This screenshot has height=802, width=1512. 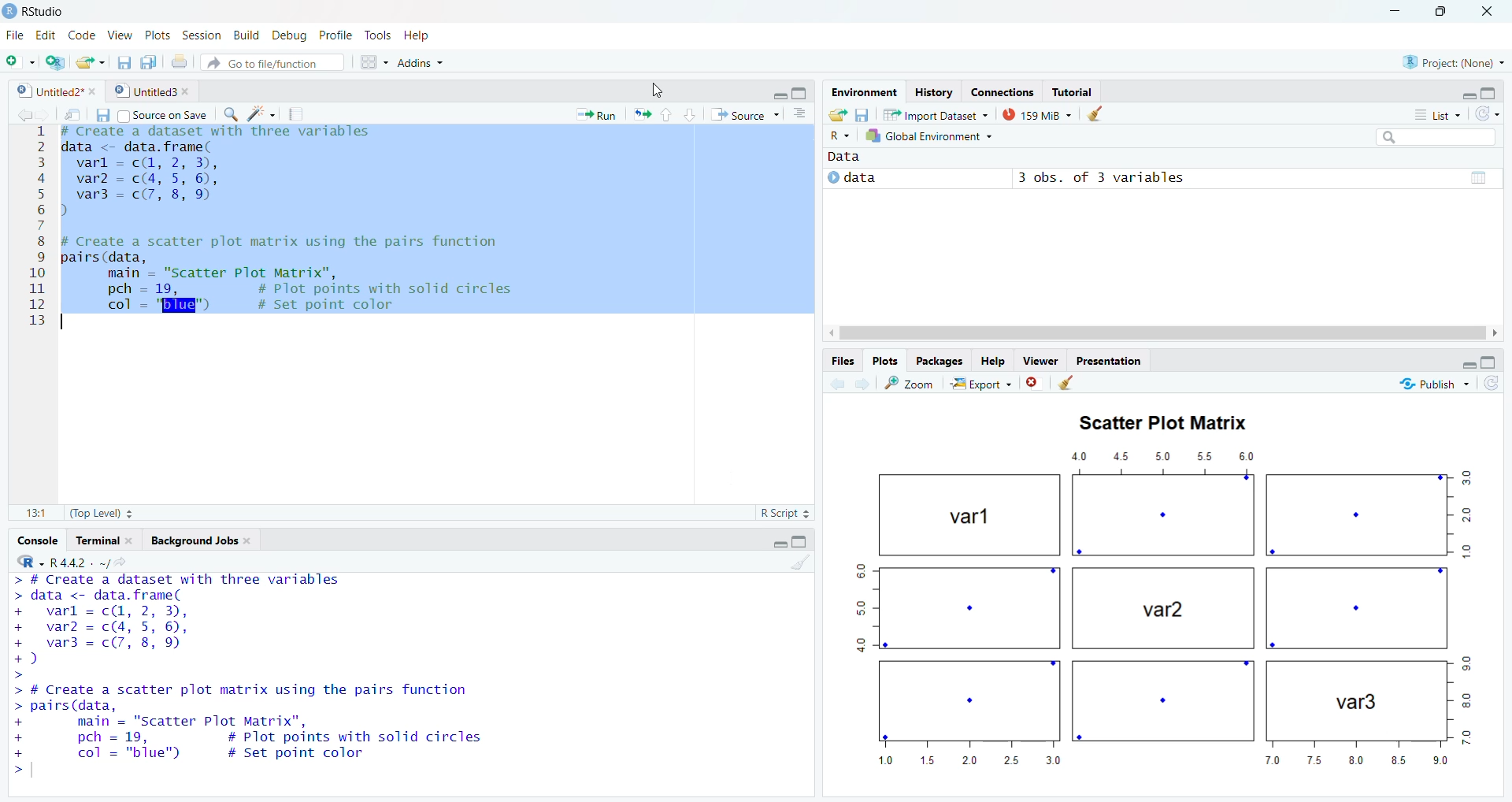 What do you see at coordinates (69, 325) in the screenshot?
I see `text cursor` at bounding box center [69, 325].